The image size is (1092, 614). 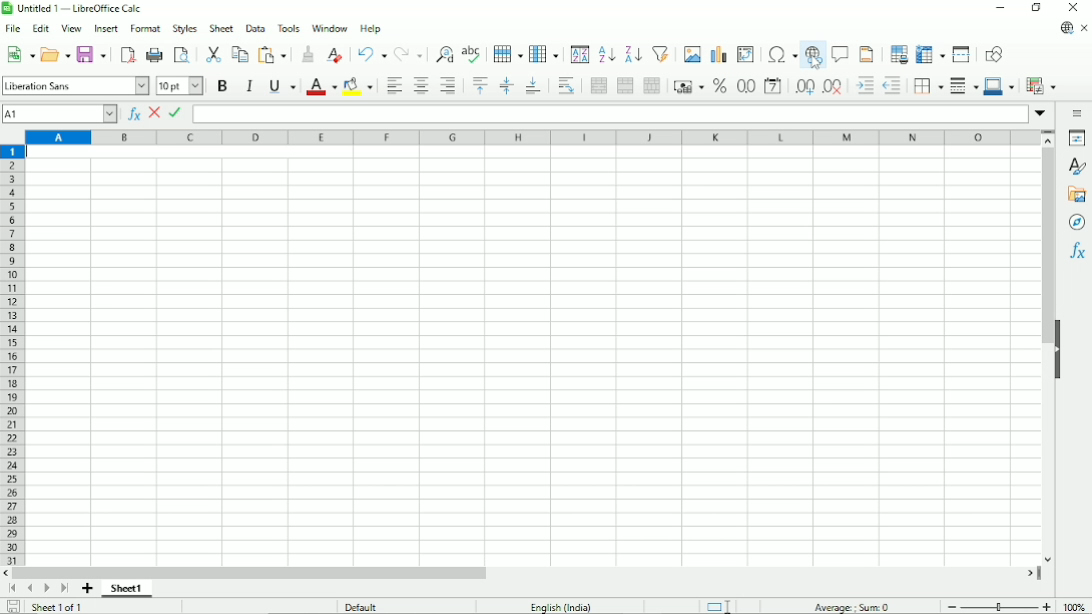 What do you see at coordinates (961, 54) in the screenshot?
I see `Split window` at bounding box center [961, 54].